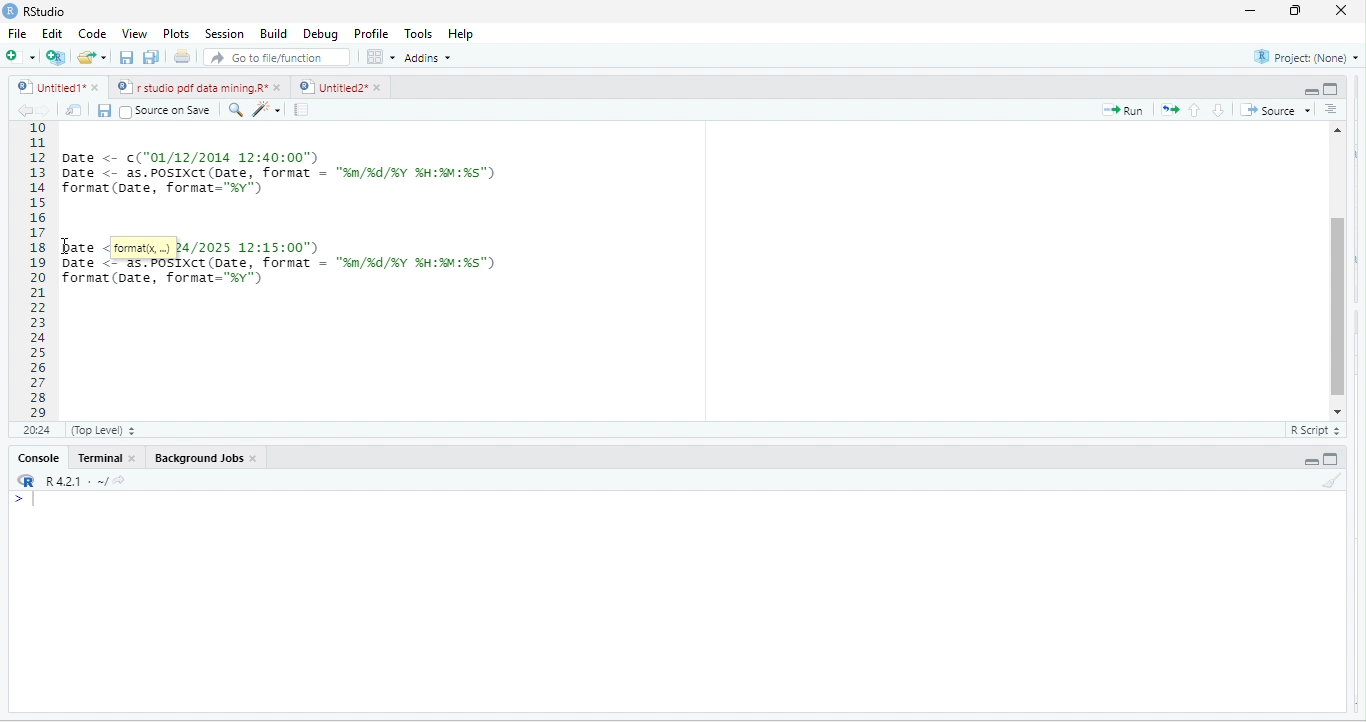 Image resolution: width=1366 pixels, height=722 pixels. I want to click on show in new window, so click(76, 110).